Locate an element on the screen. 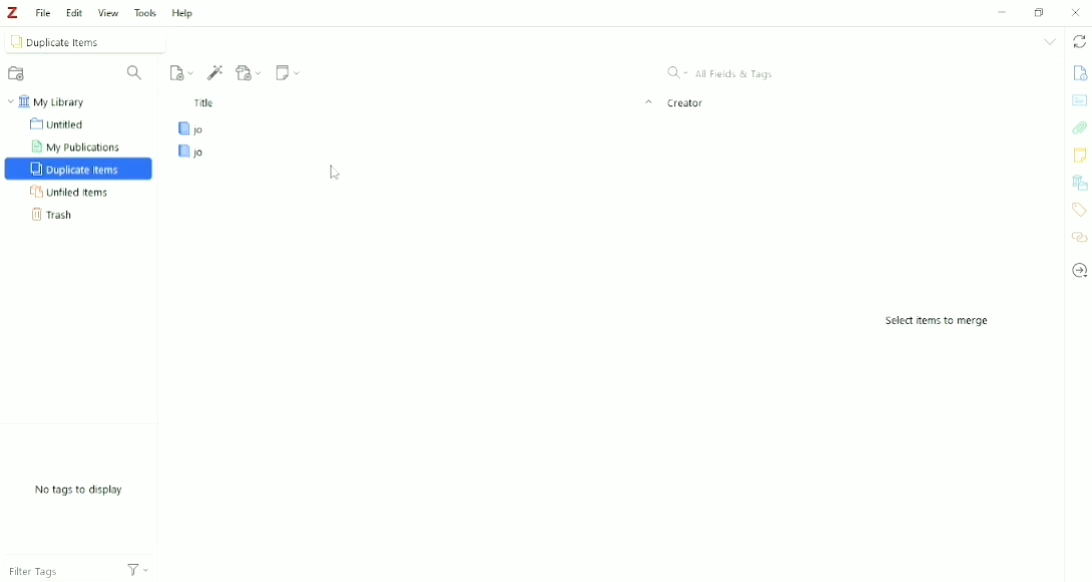  Help is located at coordinates (186, 14).